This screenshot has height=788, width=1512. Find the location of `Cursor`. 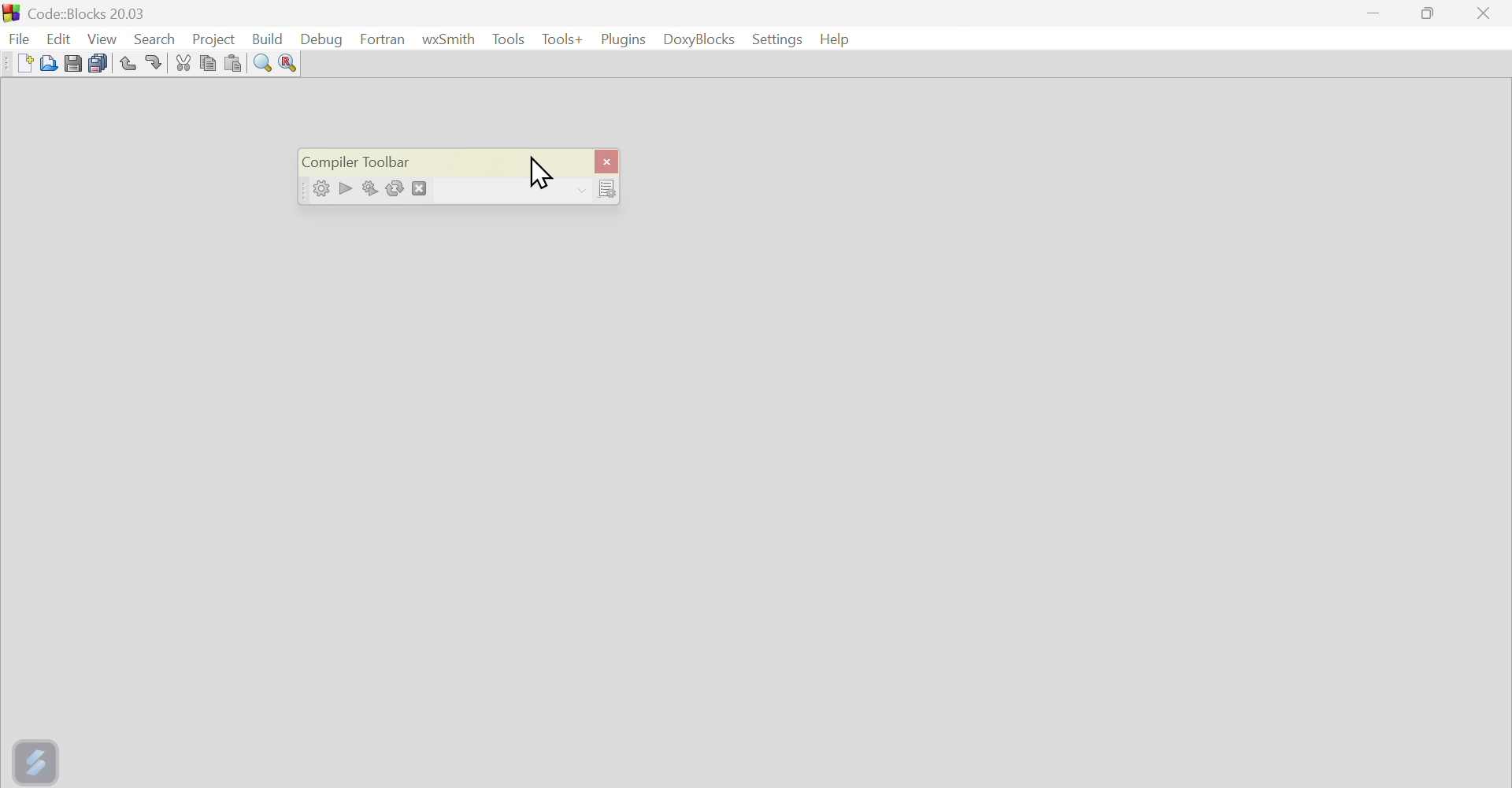

Cursor is located at coordinates (549, 173).